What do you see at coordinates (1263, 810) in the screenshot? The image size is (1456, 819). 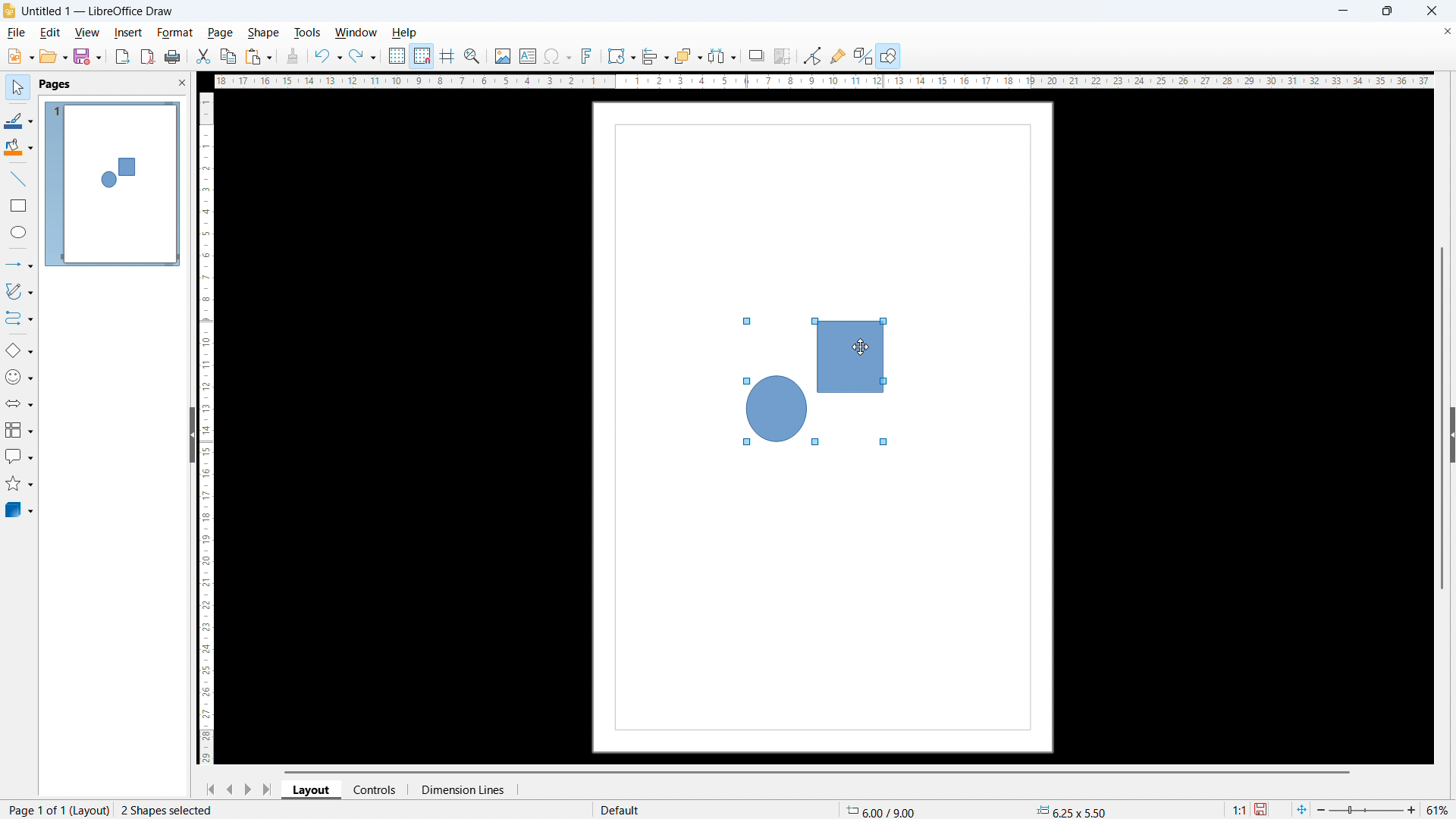 I see `save` at bounding box center [1263, 810].